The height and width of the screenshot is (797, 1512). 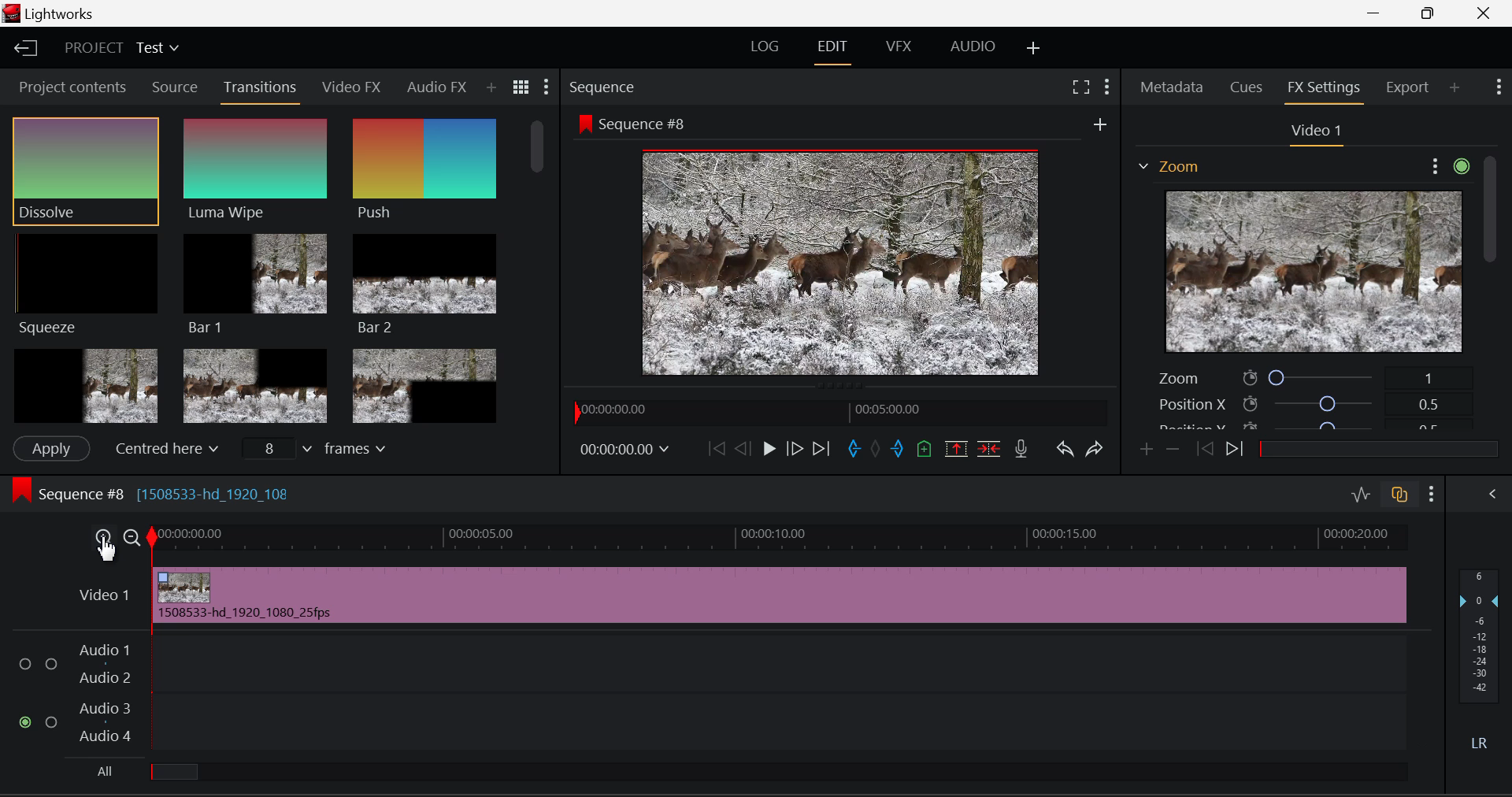 What do you see at coordinates (1234, 448) in the screenshot?
I see `Next keyframe` at bounding box center [1234, 448].